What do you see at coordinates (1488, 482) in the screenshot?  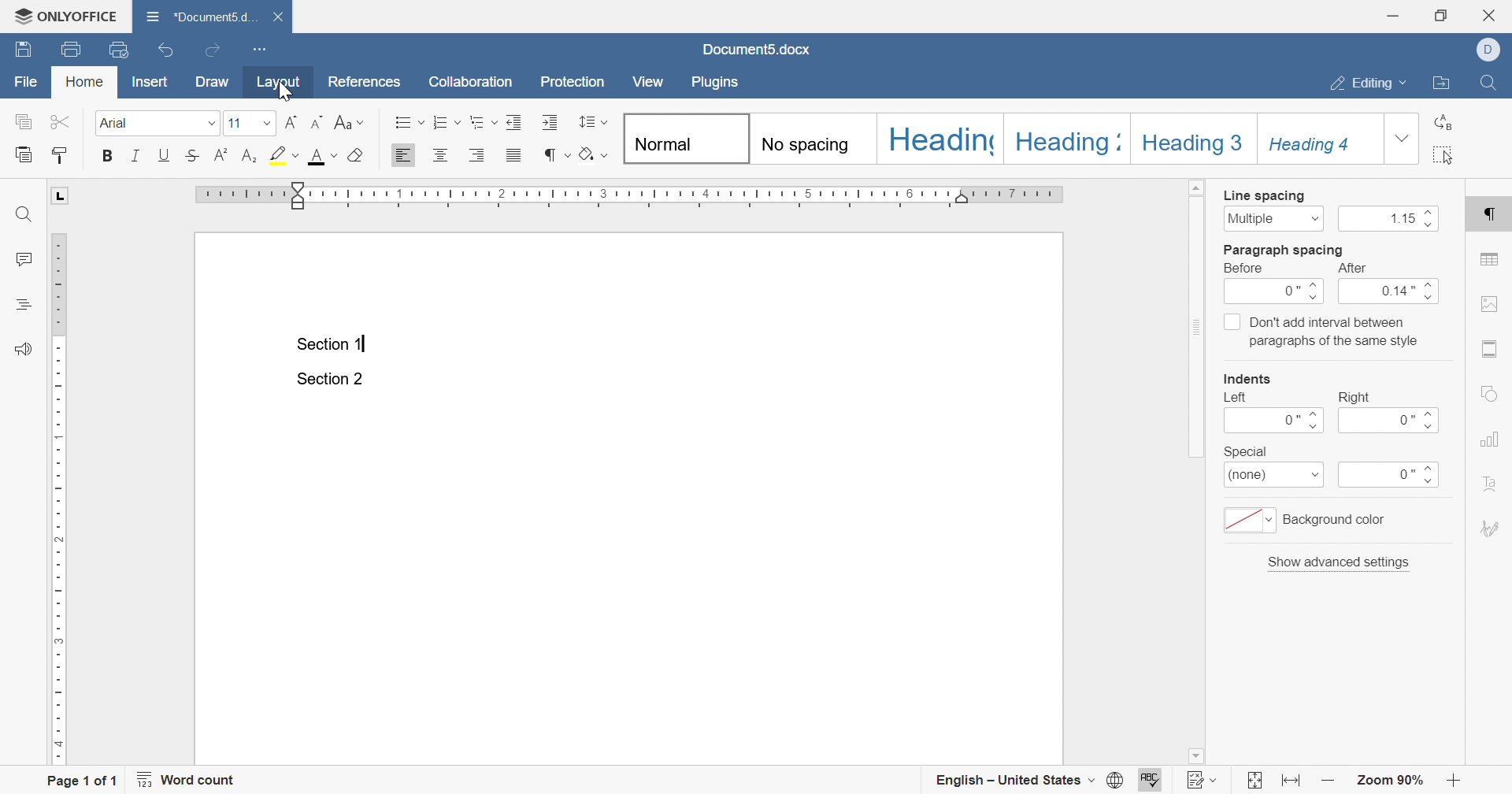 I see `text art settings` at bounding box center [1488, 482].